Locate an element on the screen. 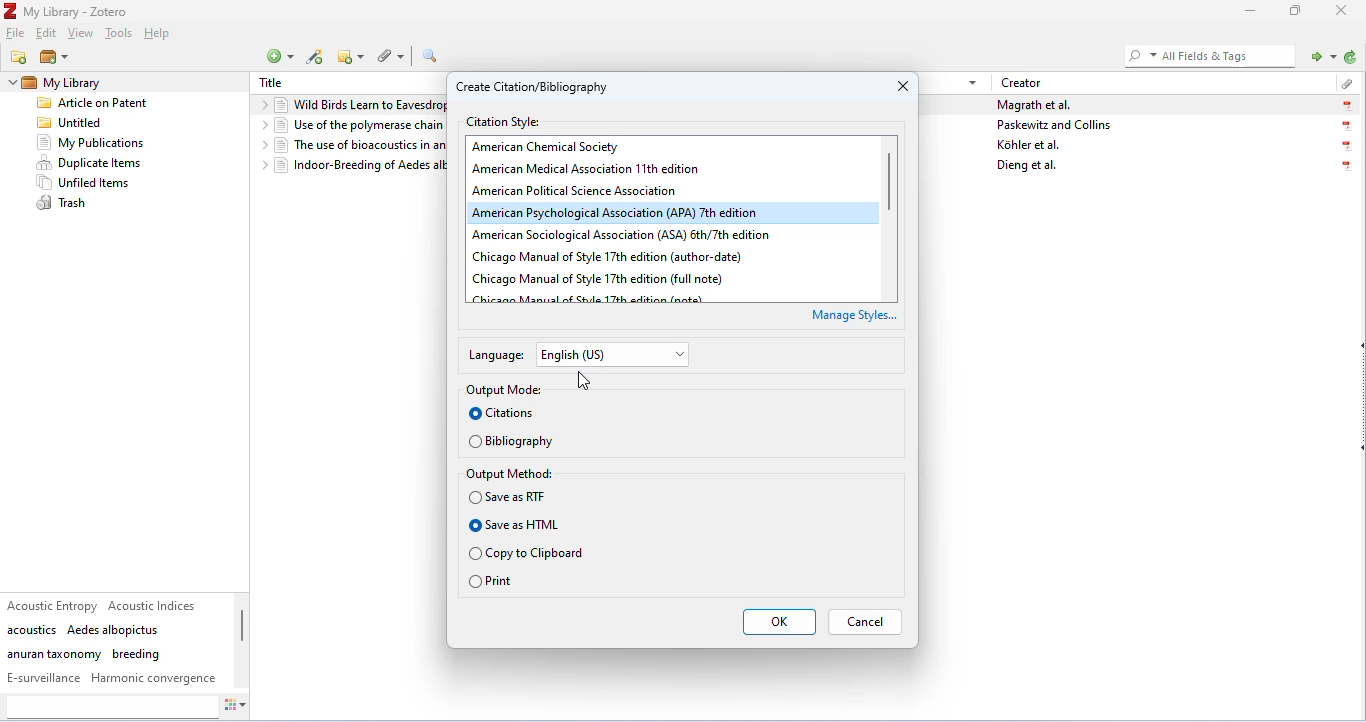 The height and width of the screenshot is (722, 1366). manage style is located at coordinates (856, 317).